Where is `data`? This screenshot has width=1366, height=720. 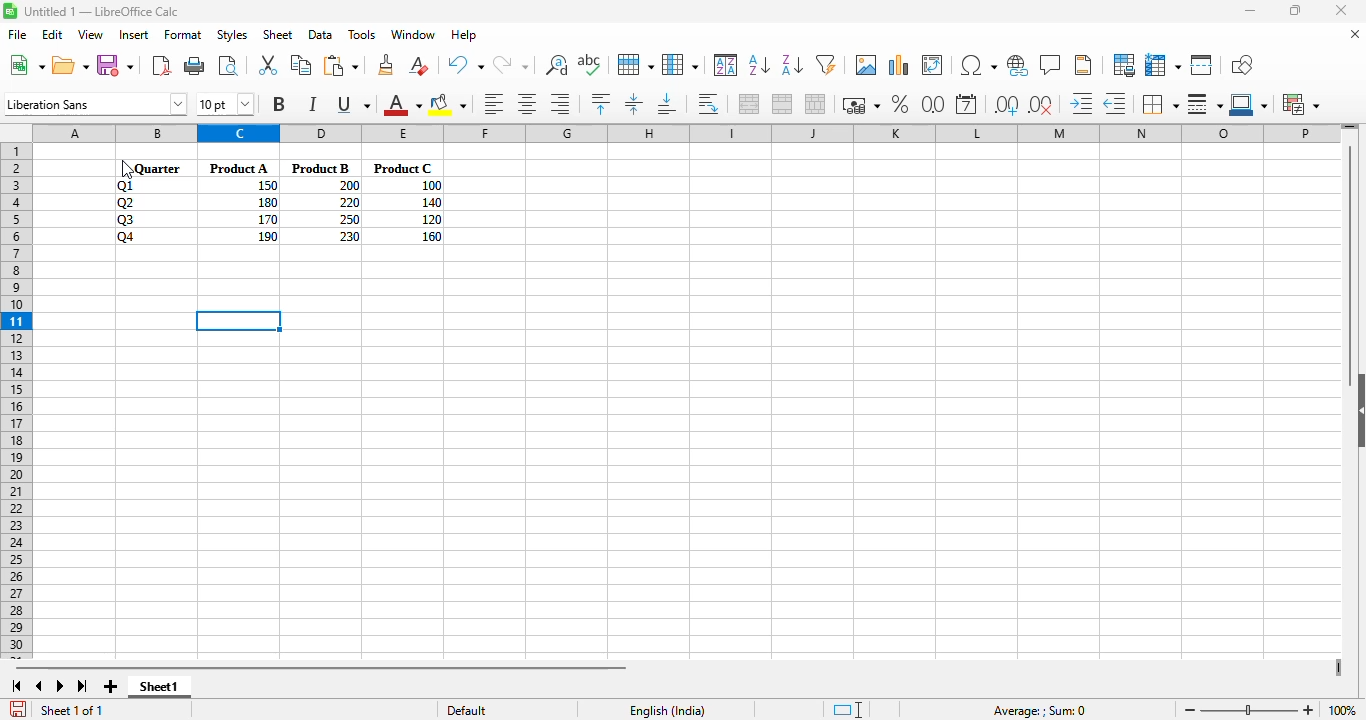 data is located at coordinates (320, 34).